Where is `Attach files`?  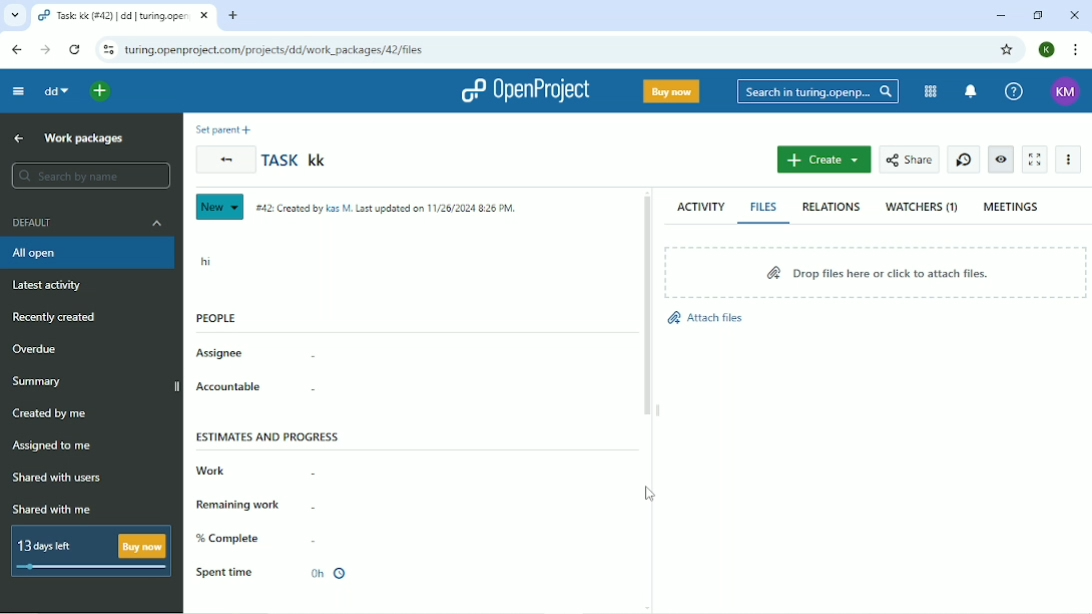 Attach files is located at coordinates (706, 318).